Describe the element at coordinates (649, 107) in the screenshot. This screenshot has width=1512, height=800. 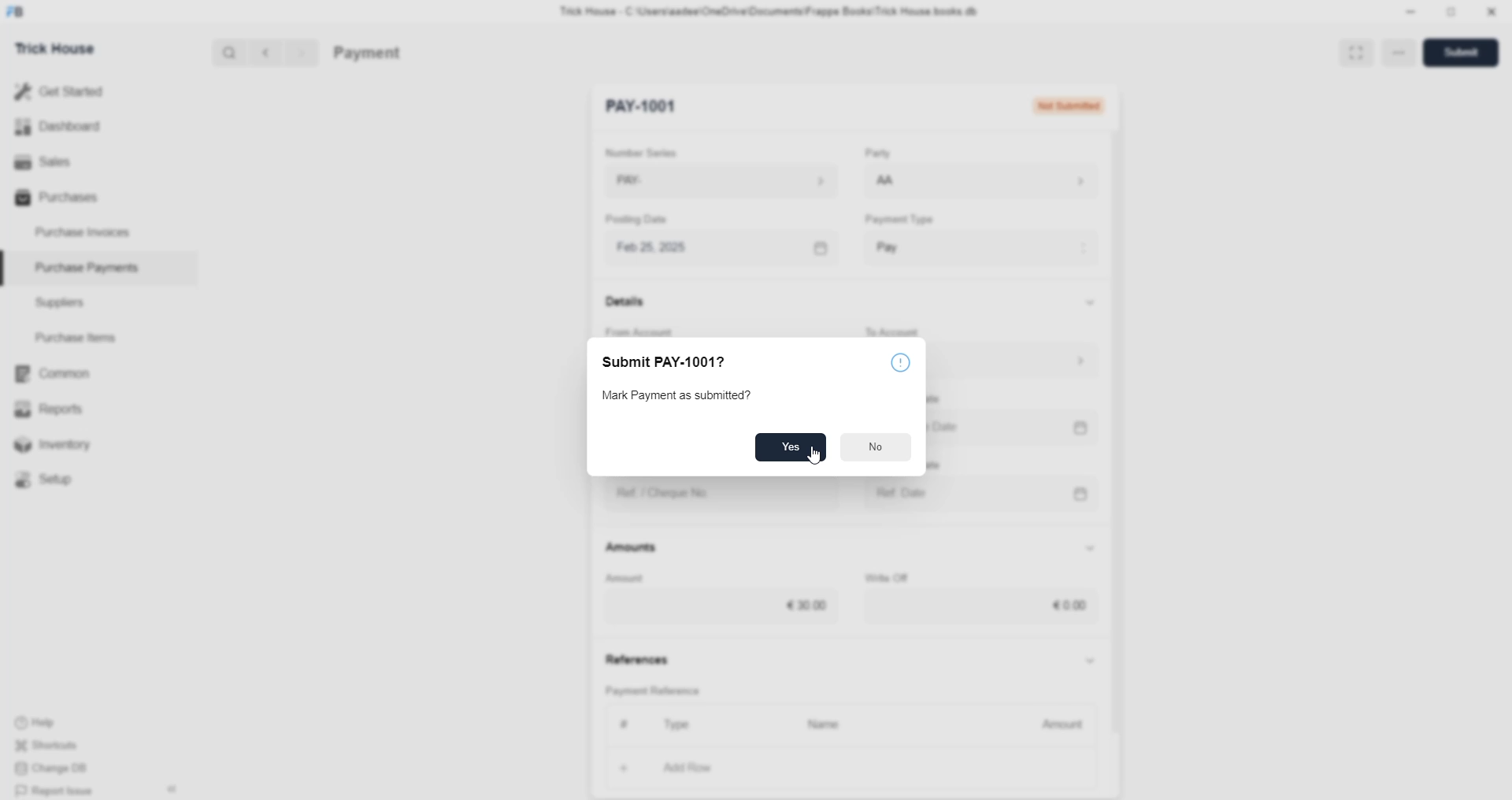
I see `New Entry` at that location.